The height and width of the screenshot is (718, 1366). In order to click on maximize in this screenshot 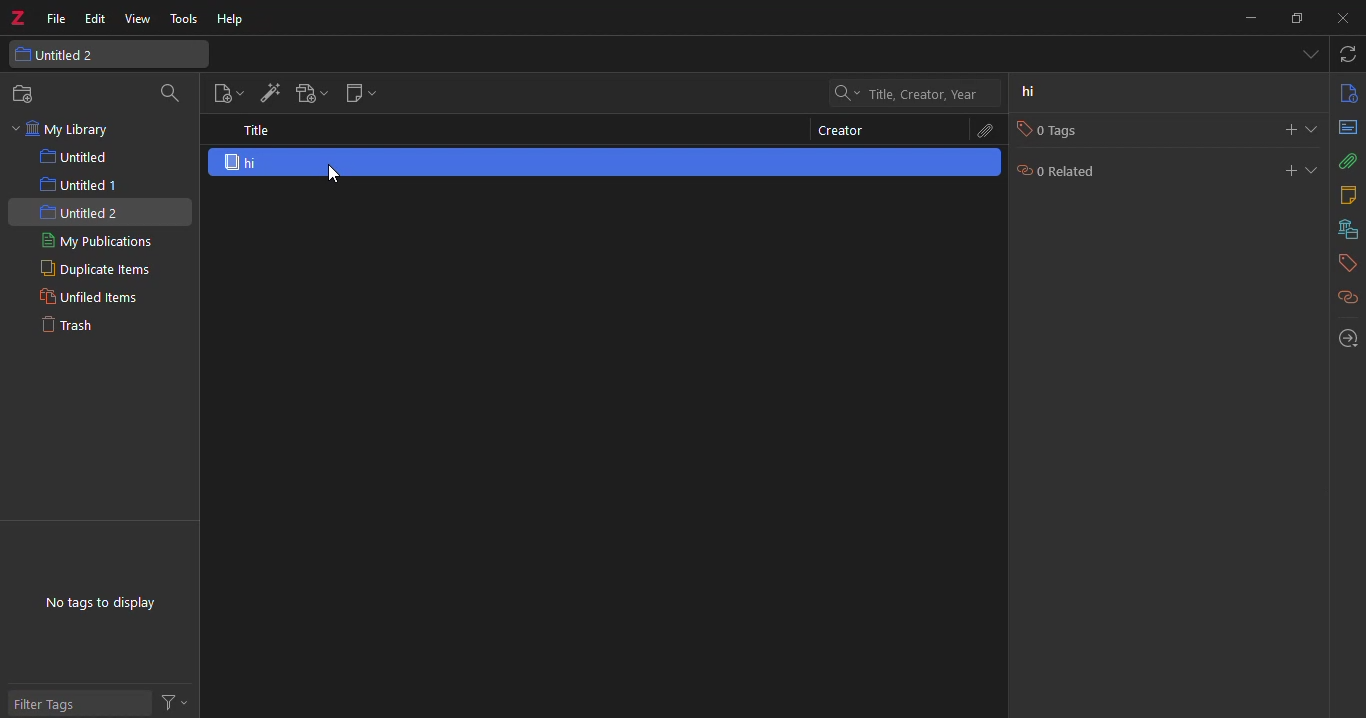, I will do `click(1296, 19)`.